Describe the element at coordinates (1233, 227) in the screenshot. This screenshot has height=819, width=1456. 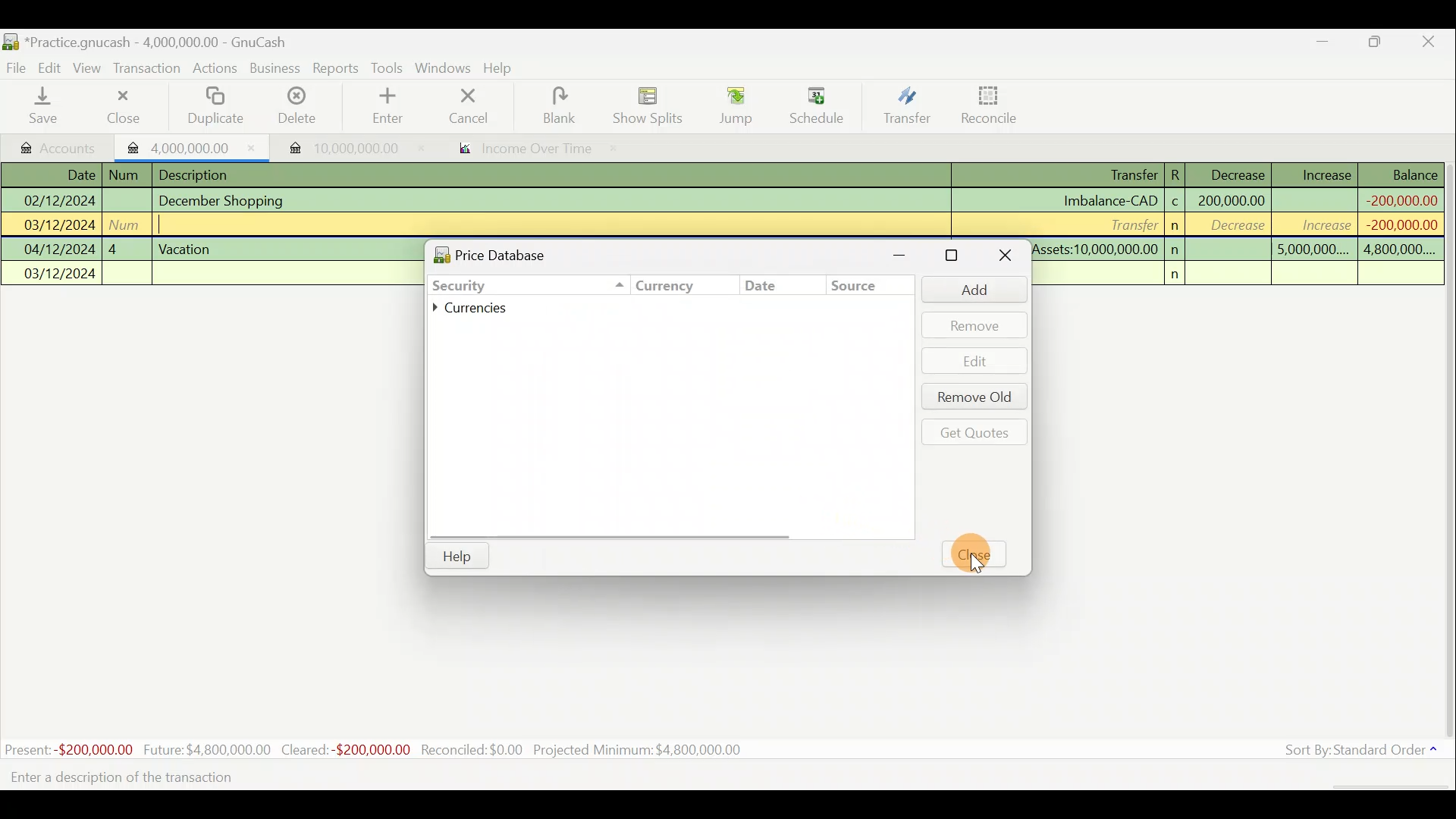
I see `decrease` at that location.